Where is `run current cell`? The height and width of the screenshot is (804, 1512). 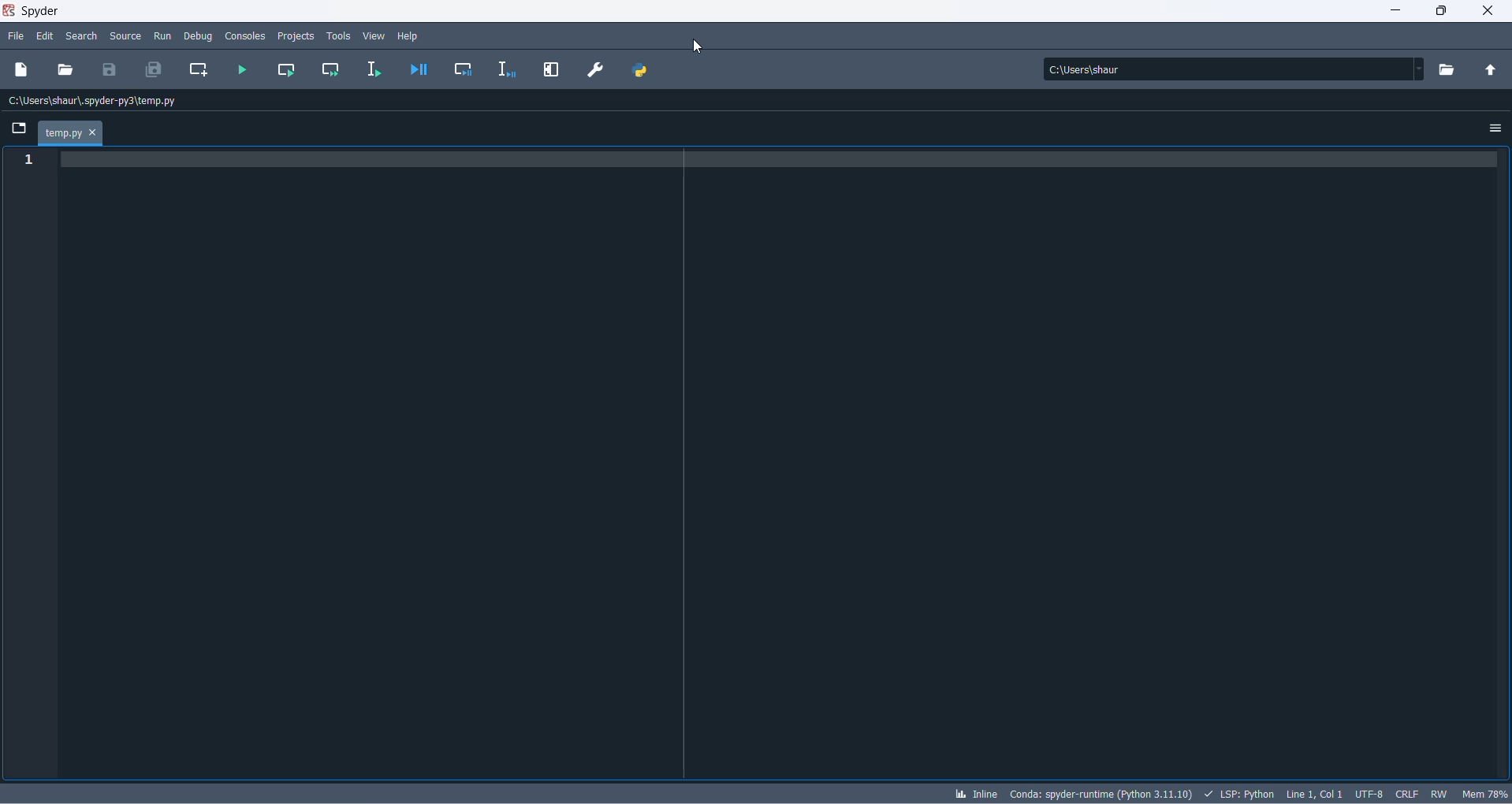
run current cell is located at coordinates (283, 71).